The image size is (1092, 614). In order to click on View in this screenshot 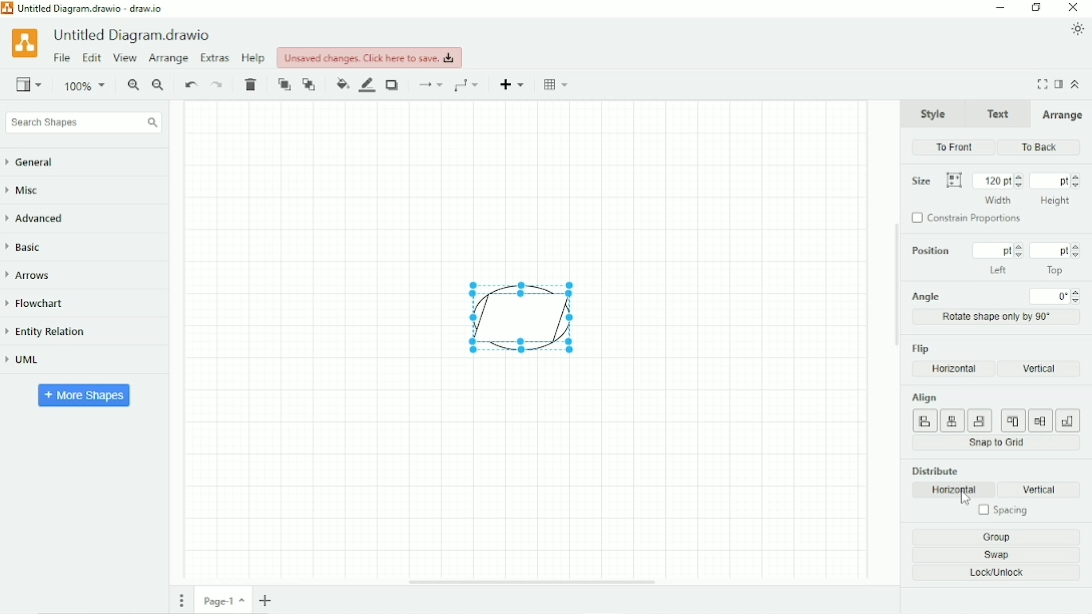, I will do `click(29, 83)`.